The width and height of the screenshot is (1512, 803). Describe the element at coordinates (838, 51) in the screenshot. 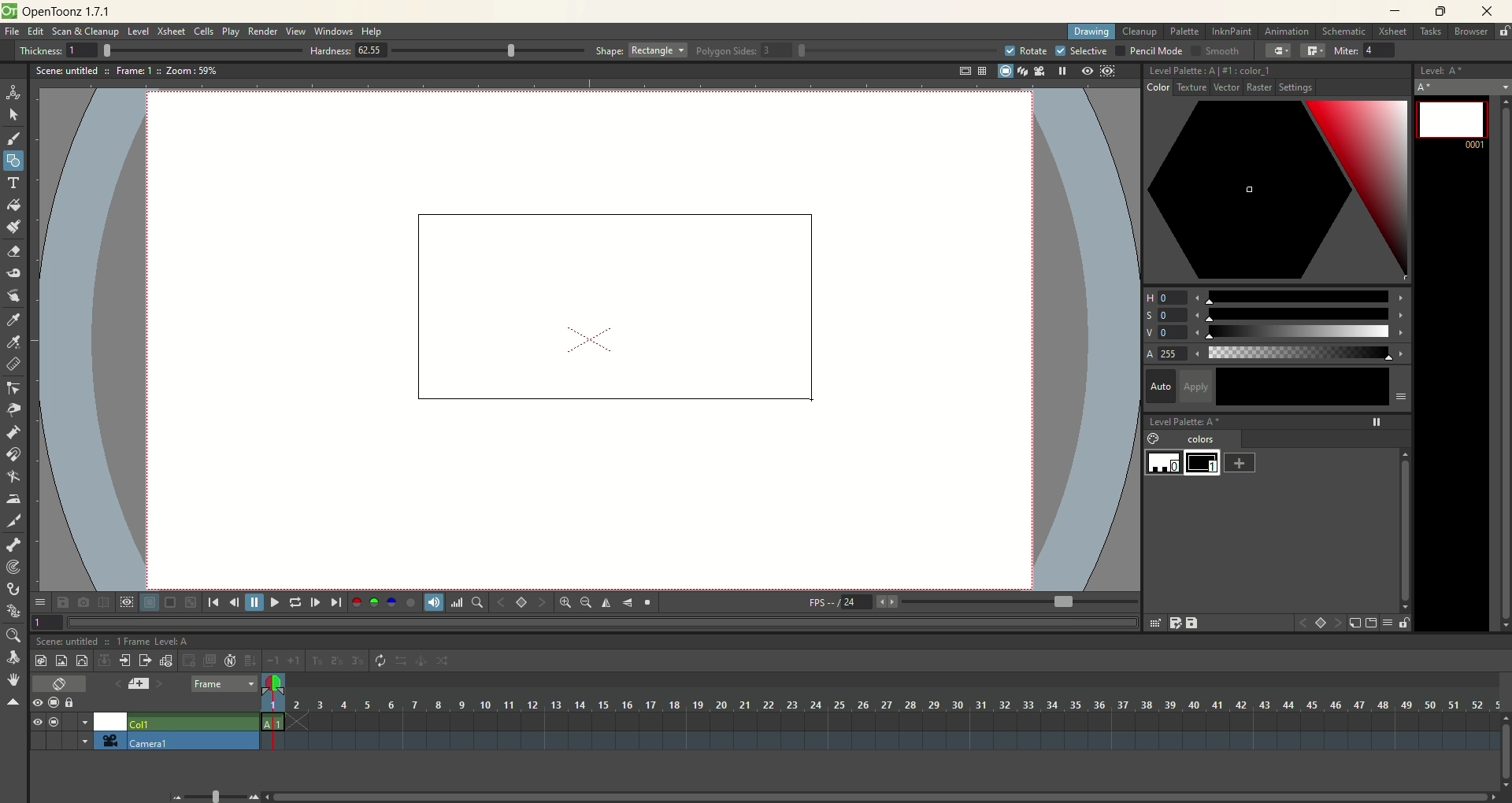

I see `Polygon sides 3` at that location.